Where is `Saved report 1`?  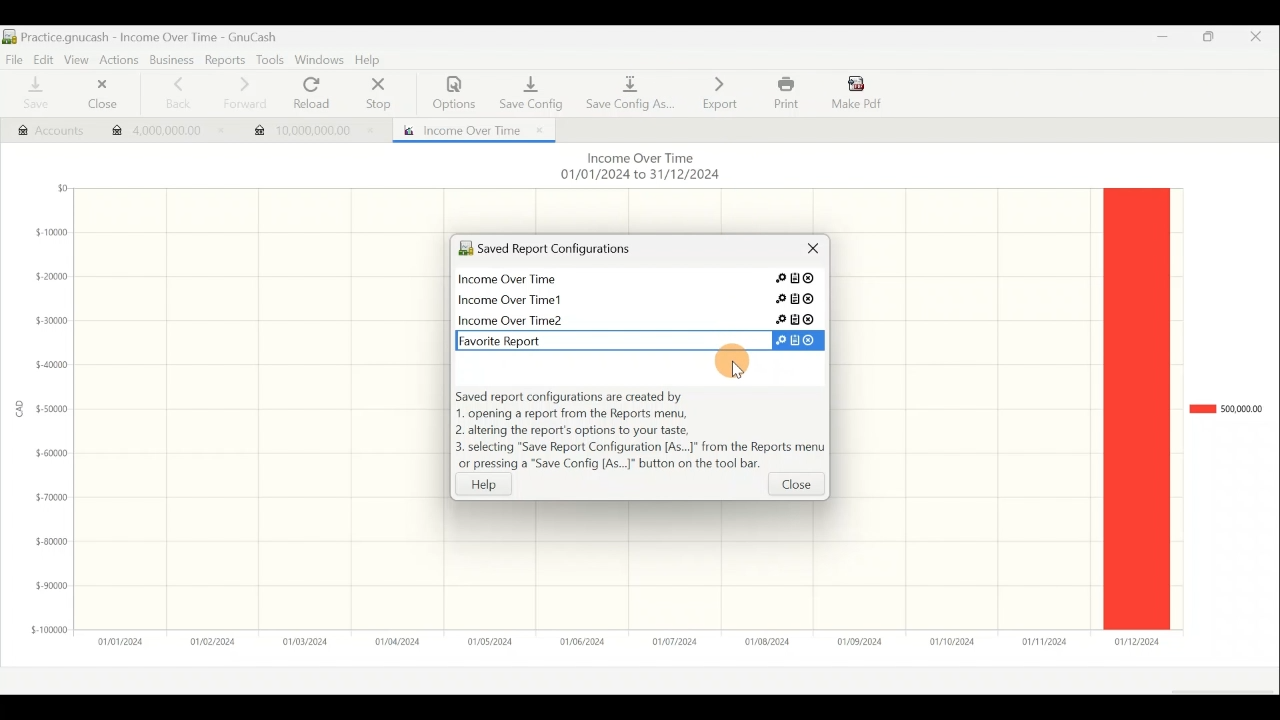
Saved report 1 is located at coordinates (642, 281).